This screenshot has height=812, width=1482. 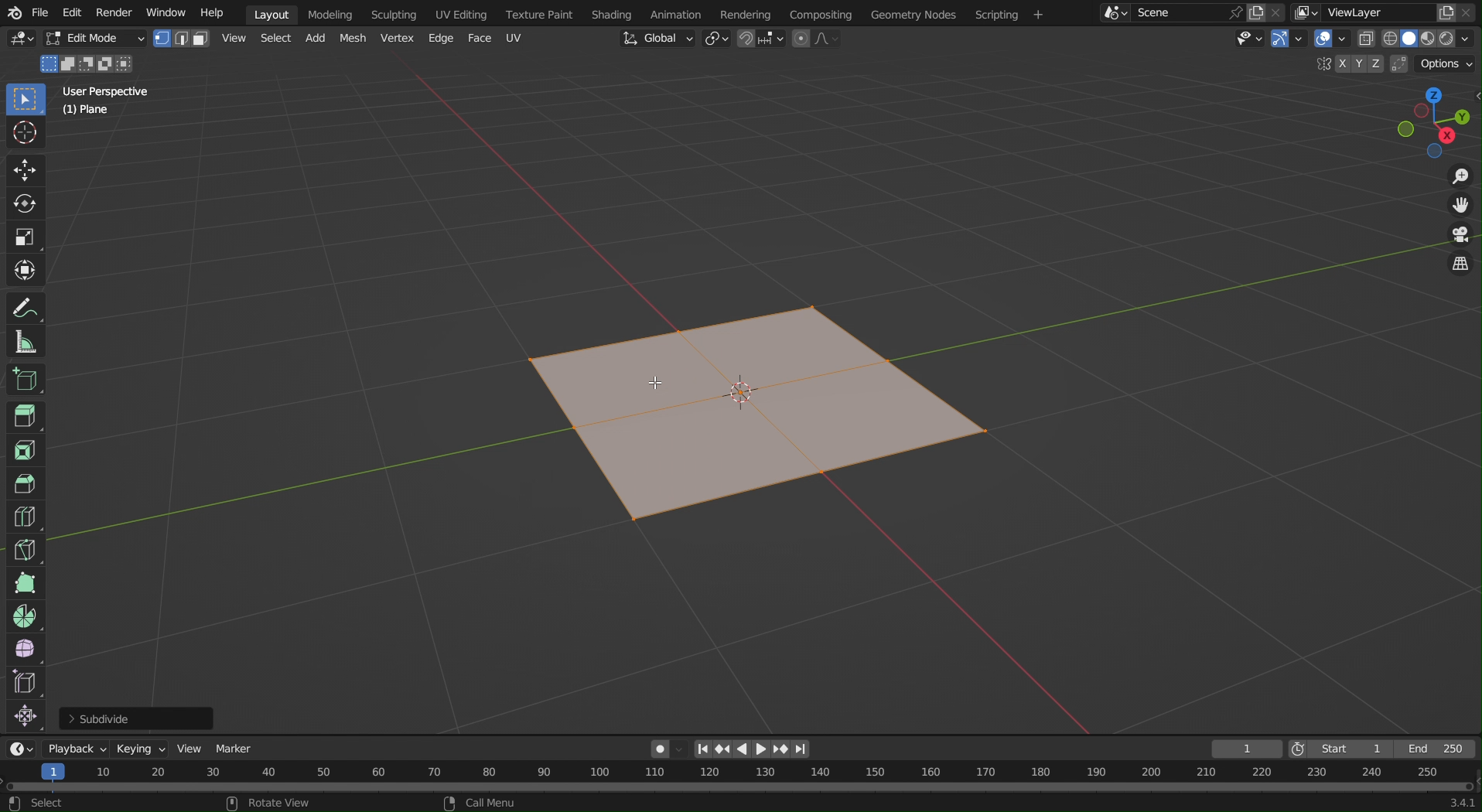 What do you see at coordinates (27, 235) in the screenshot?
I see `Scale` at bounding box center [27, 235].